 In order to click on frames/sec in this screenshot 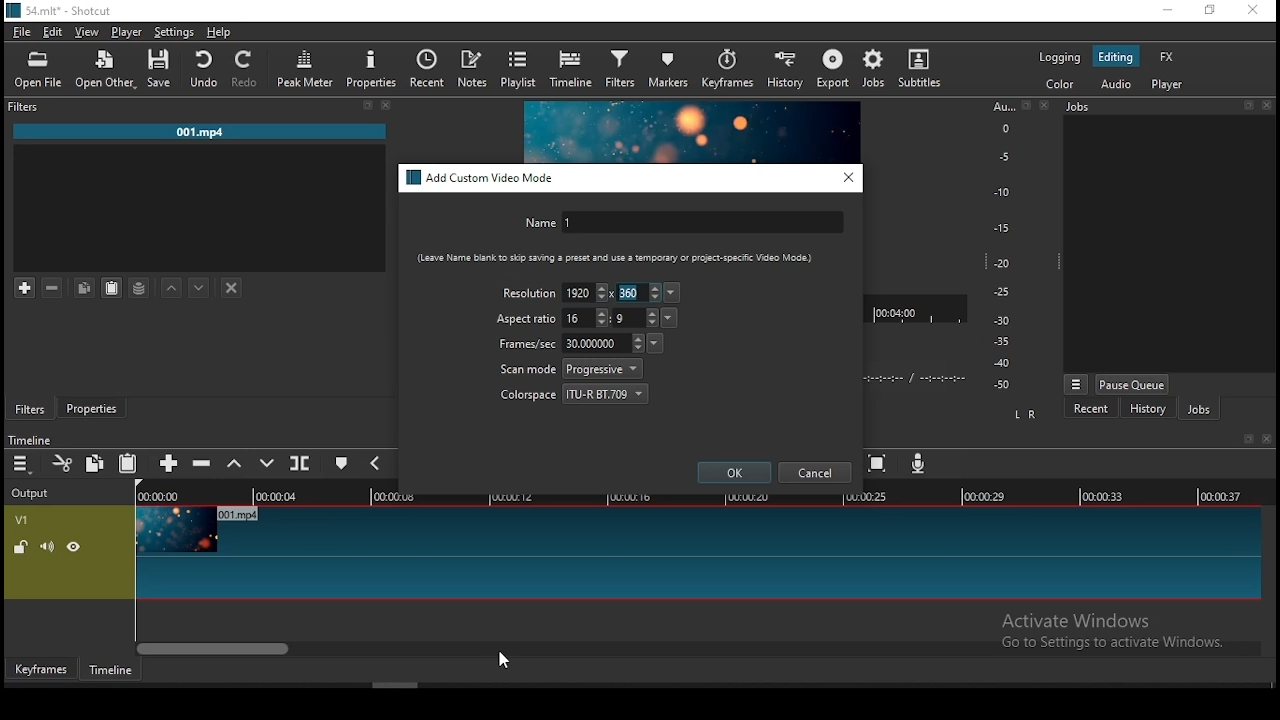, I will do `click(569, 343)`.